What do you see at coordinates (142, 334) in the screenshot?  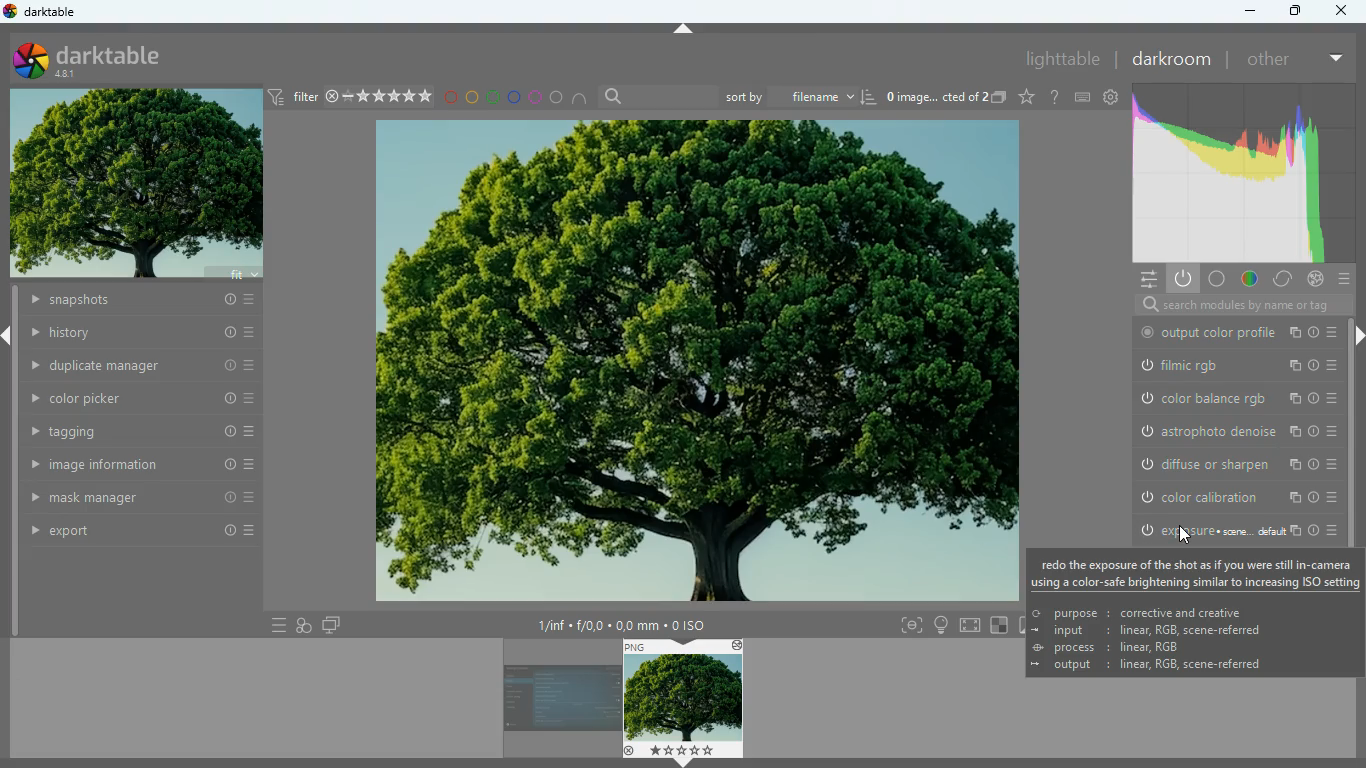 I see `history` at bounding box center [142, 334].